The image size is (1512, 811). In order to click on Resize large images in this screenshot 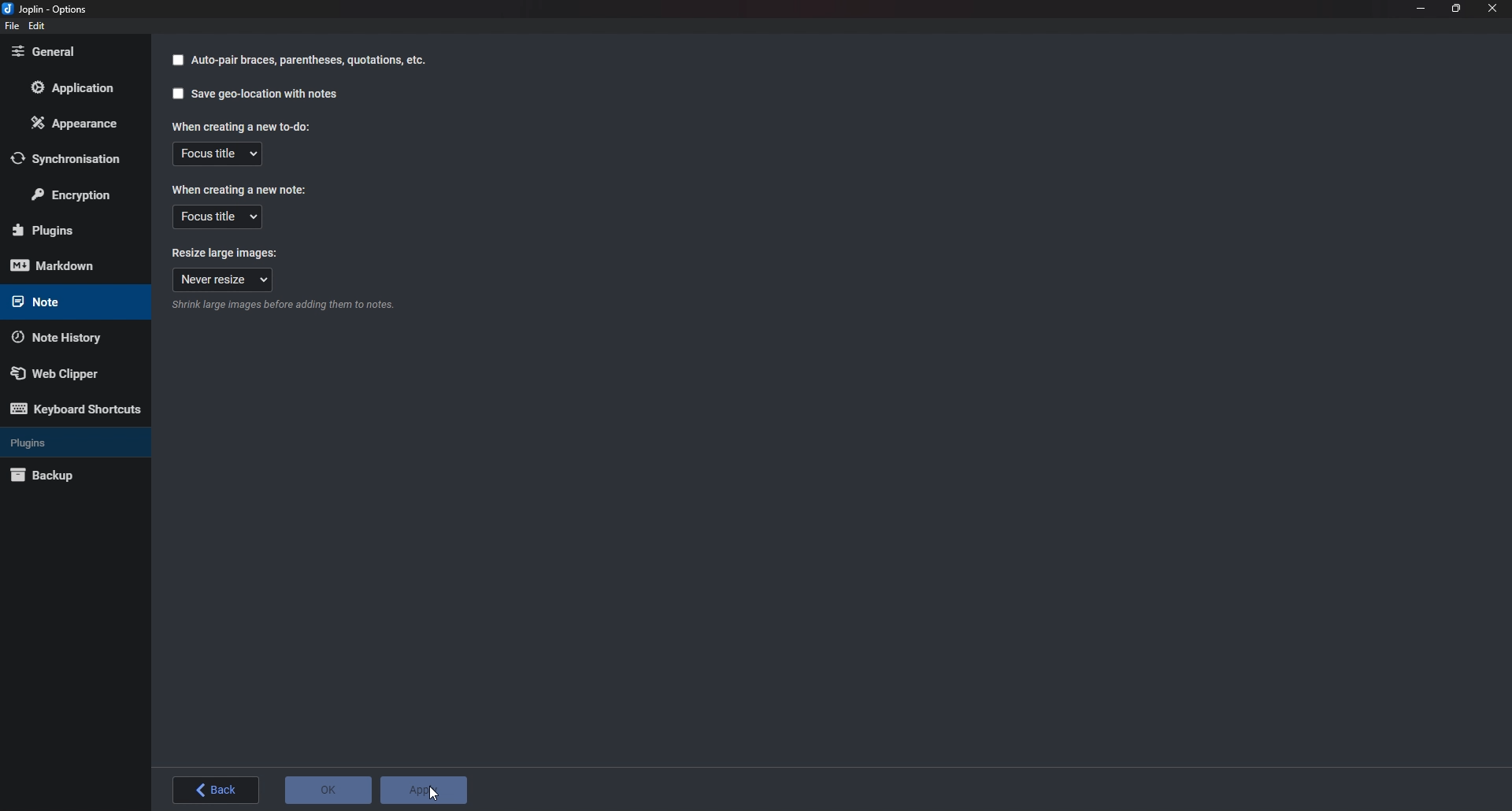, I will do `click(227, 253)`.